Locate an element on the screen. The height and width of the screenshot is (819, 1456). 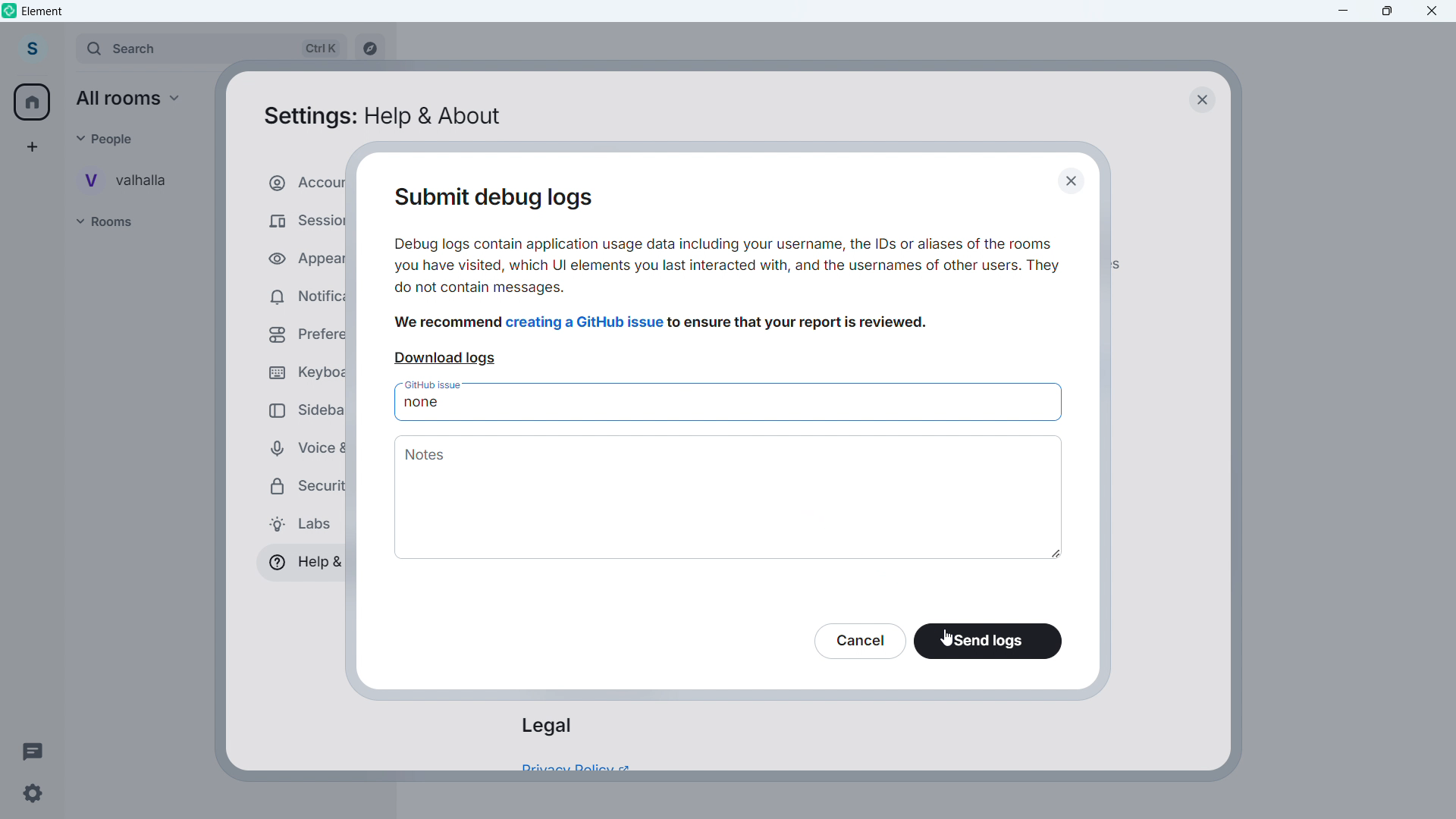
Account  is located at coordinates (31, 49).